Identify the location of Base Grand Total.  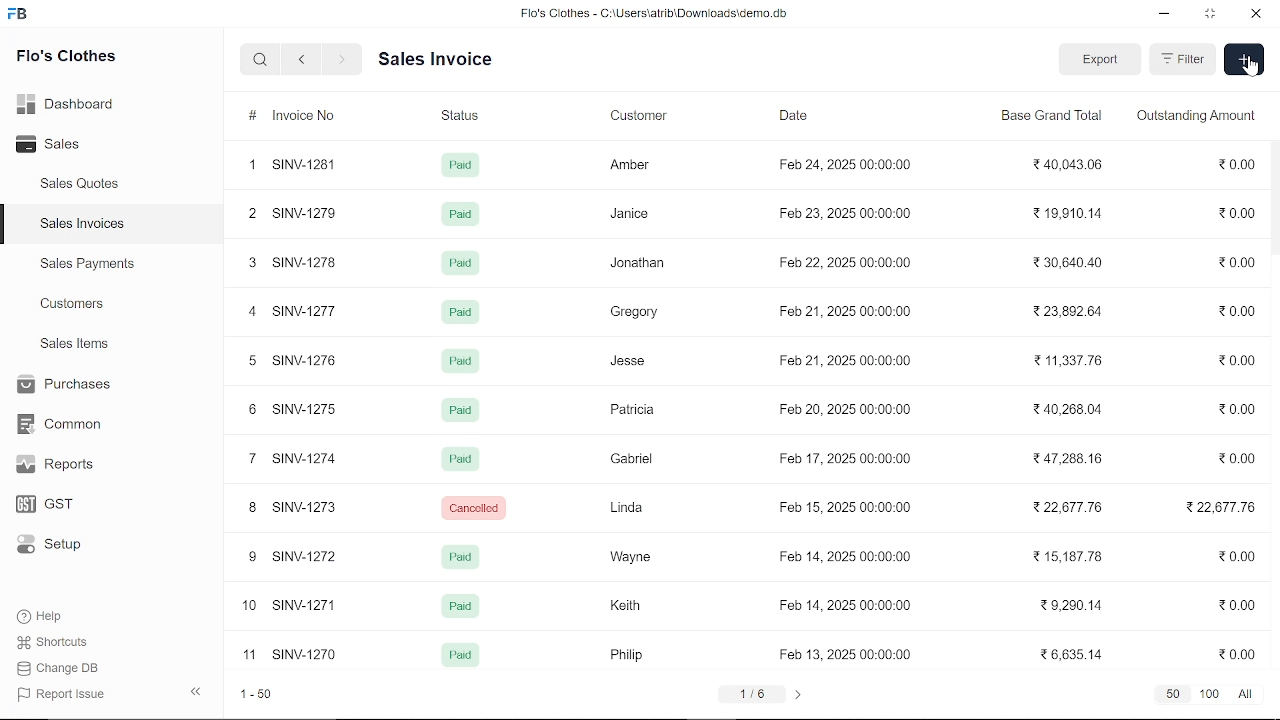
(1049, 118).